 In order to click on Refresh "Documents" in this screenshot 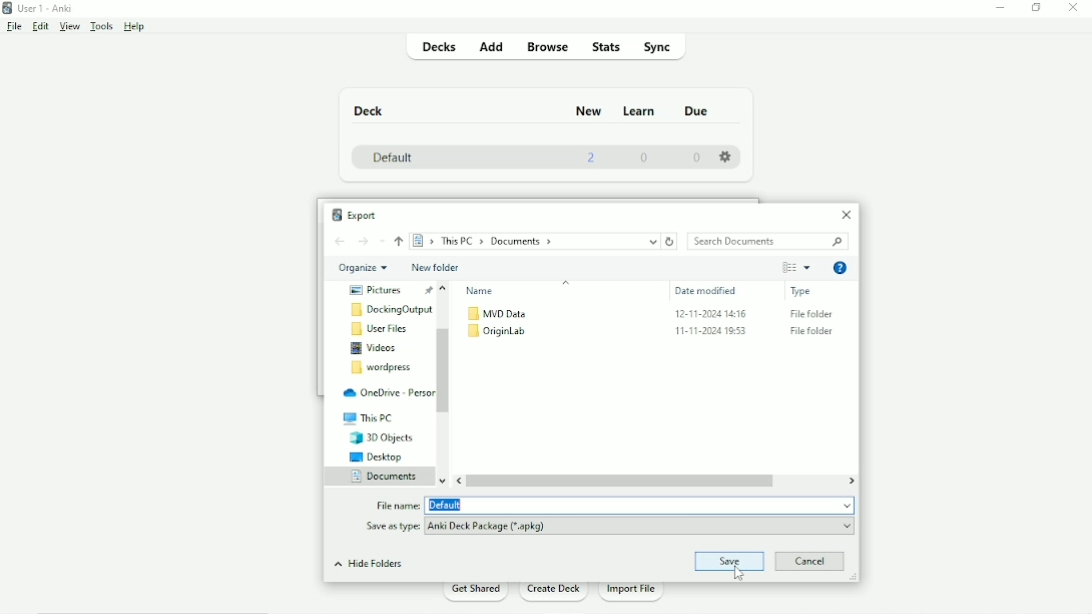, I will do `click(673, 242)`.